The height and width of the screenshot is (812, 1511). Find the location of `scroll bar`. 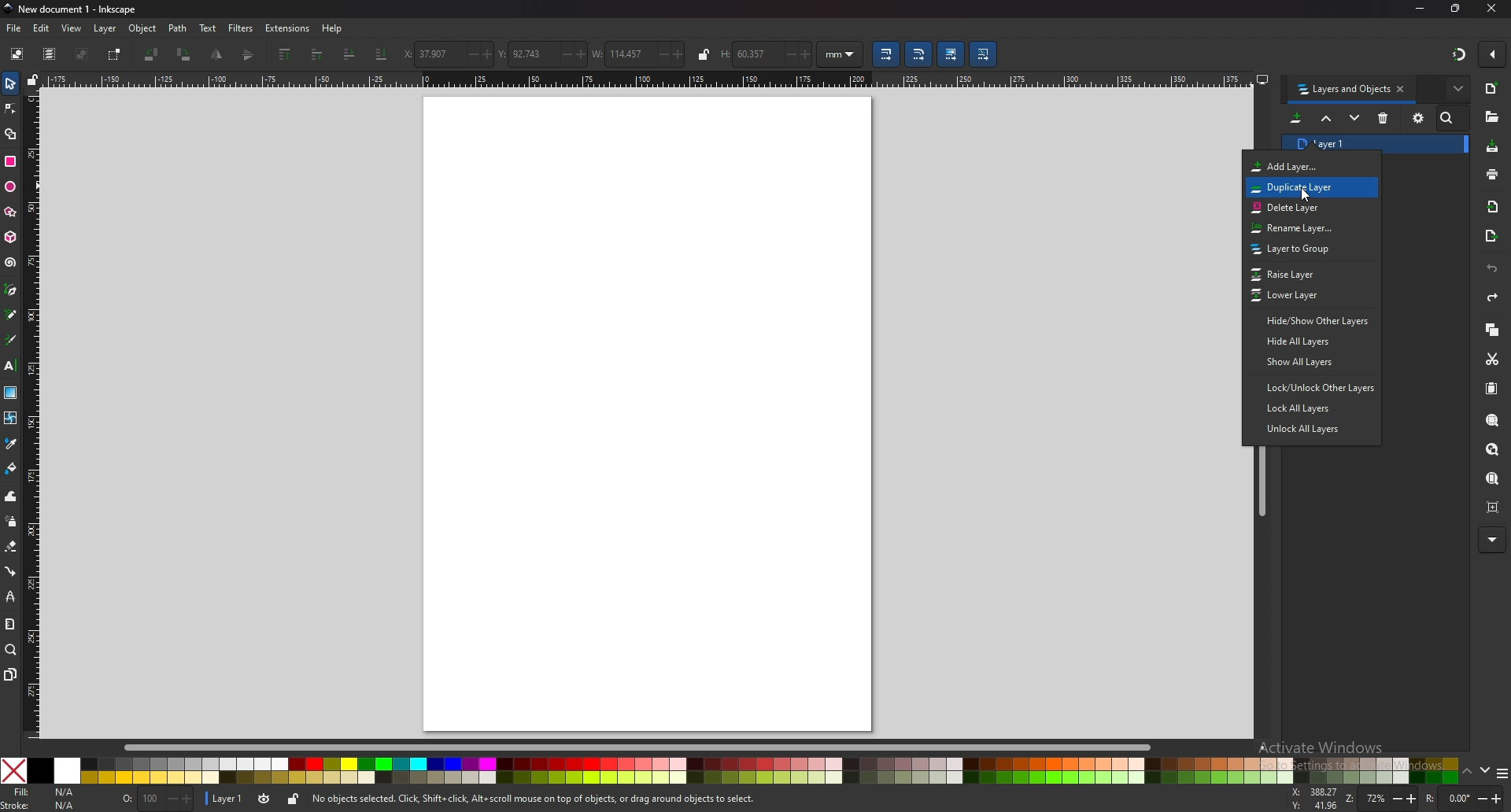

scroll bar is located at coordinates (652, 747).